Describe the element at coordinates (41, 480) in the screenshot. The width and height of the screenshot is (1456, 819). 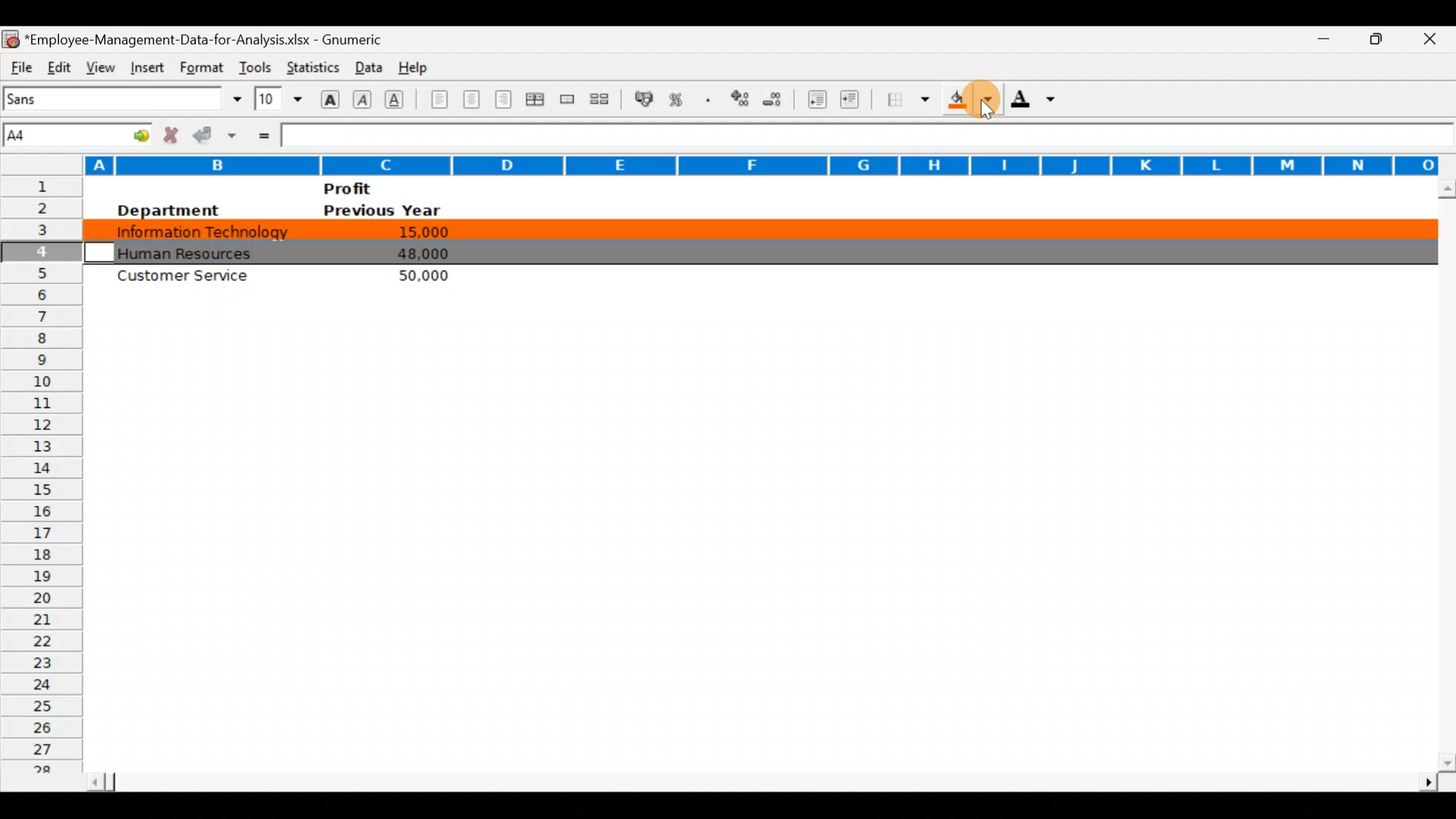
I see `Rows` at that location.